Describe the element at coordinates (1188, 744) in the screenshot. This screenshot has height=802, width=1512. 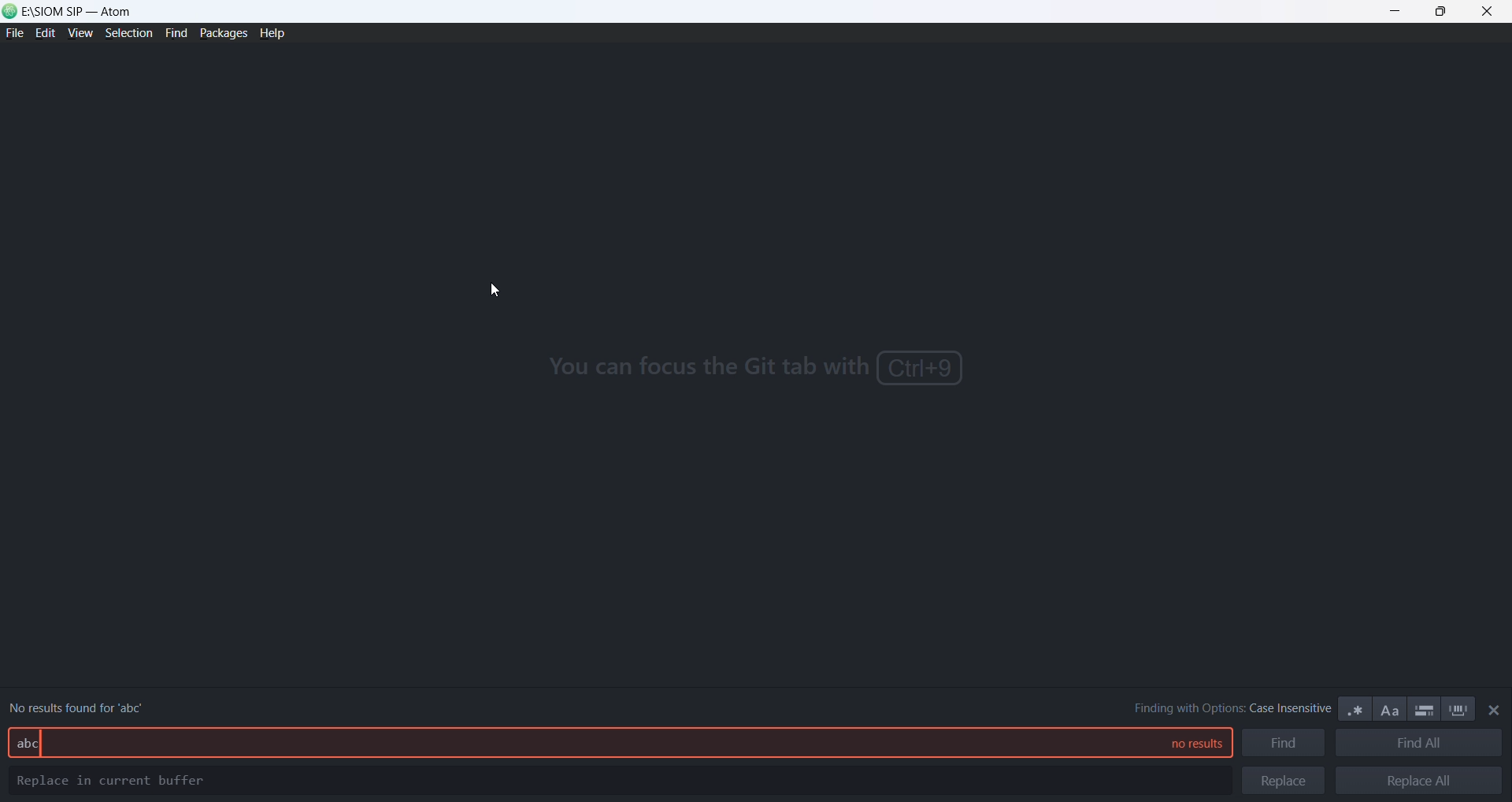
I see `results` at that location.